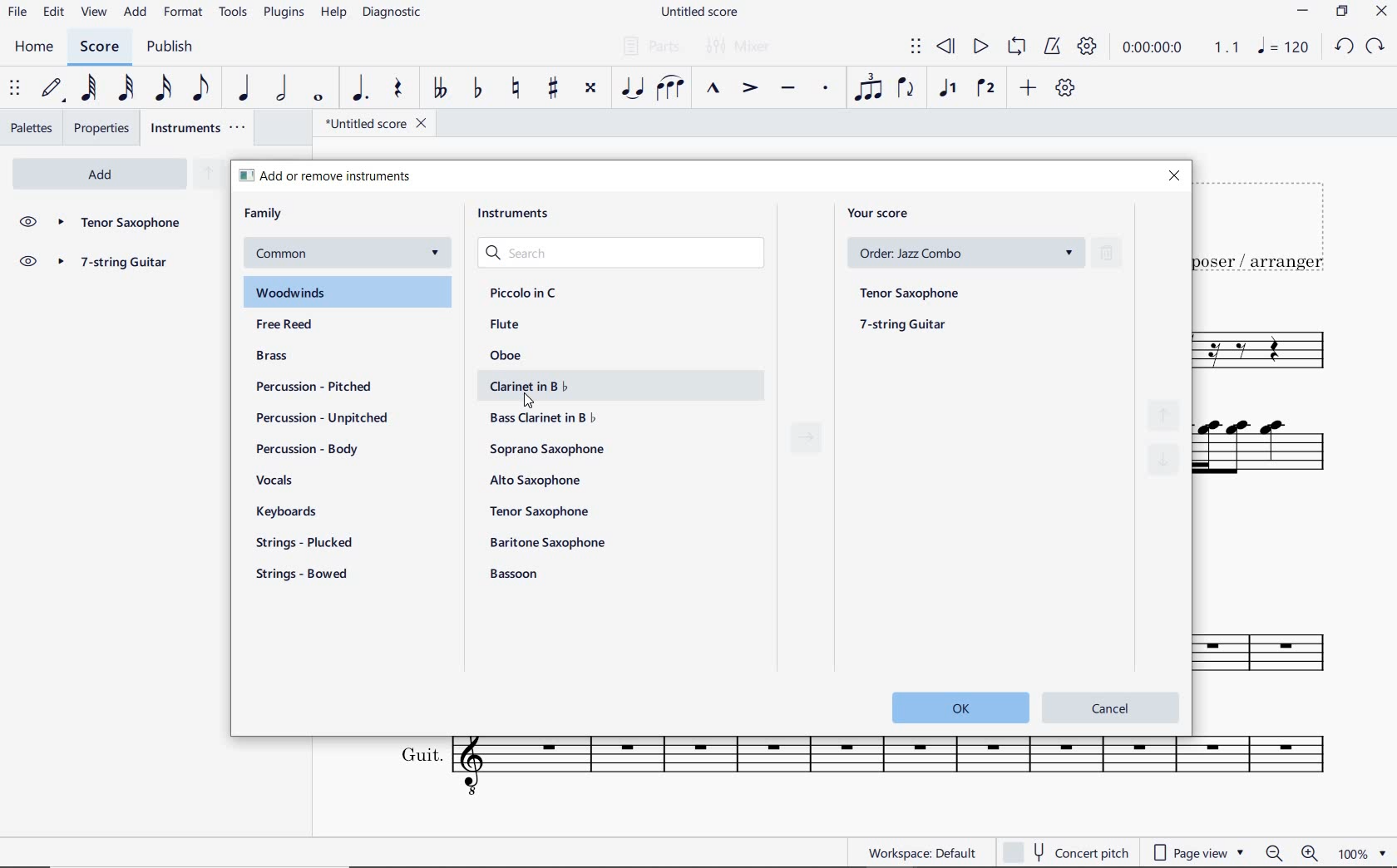 This screenshot has height=868, width=1397. What do you see at coordinates (542, 510) in the screenshot?
I see `tenor saxophone` at bounding box center [542, 510].